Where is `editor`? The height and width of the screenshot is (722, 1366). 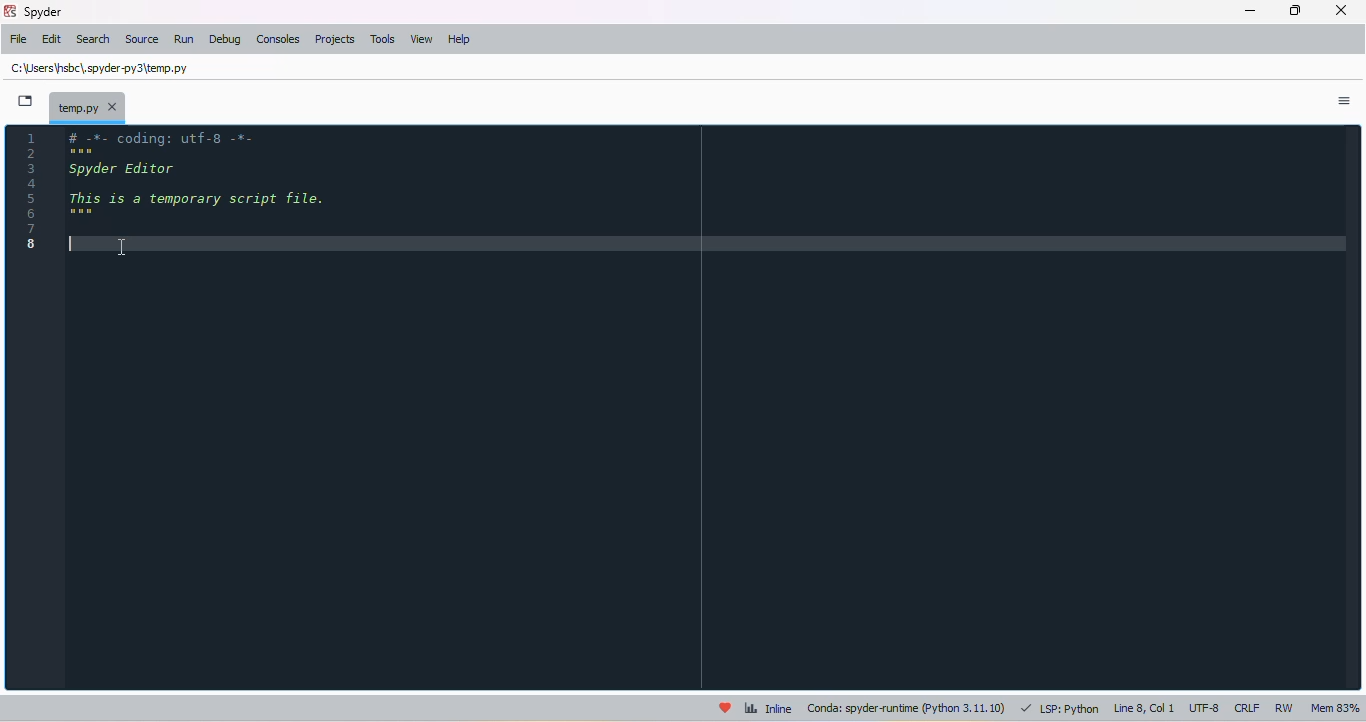
editor is located at coordinates (709, 407).